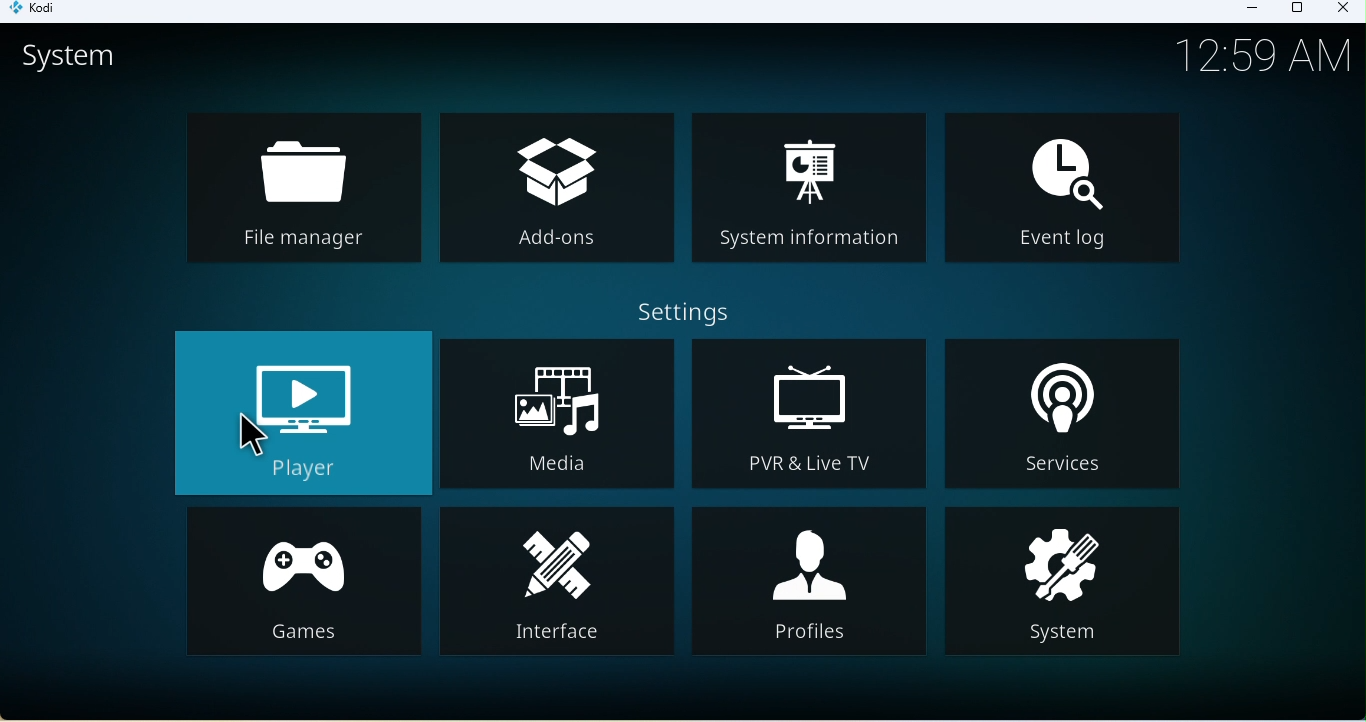 Image resolution: width=1366 pixels, height=722 pixels. What do you see at coordinates (304, 584) in the screenshot?
I see `Games` at bounding box center [304, 584].